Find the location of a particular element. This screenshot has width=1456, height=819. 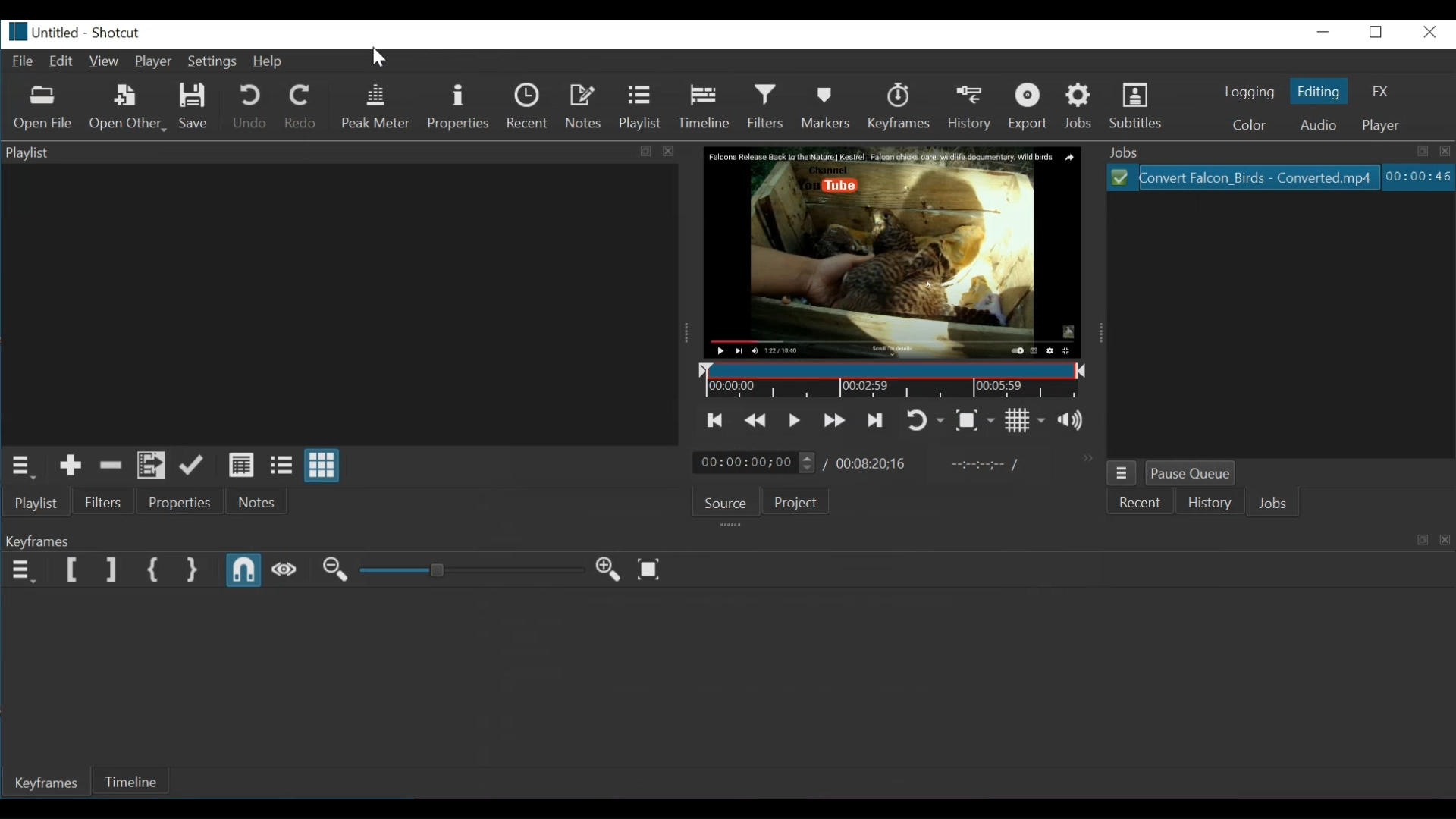

Show the volume control is located at coordinates (1075, 421).